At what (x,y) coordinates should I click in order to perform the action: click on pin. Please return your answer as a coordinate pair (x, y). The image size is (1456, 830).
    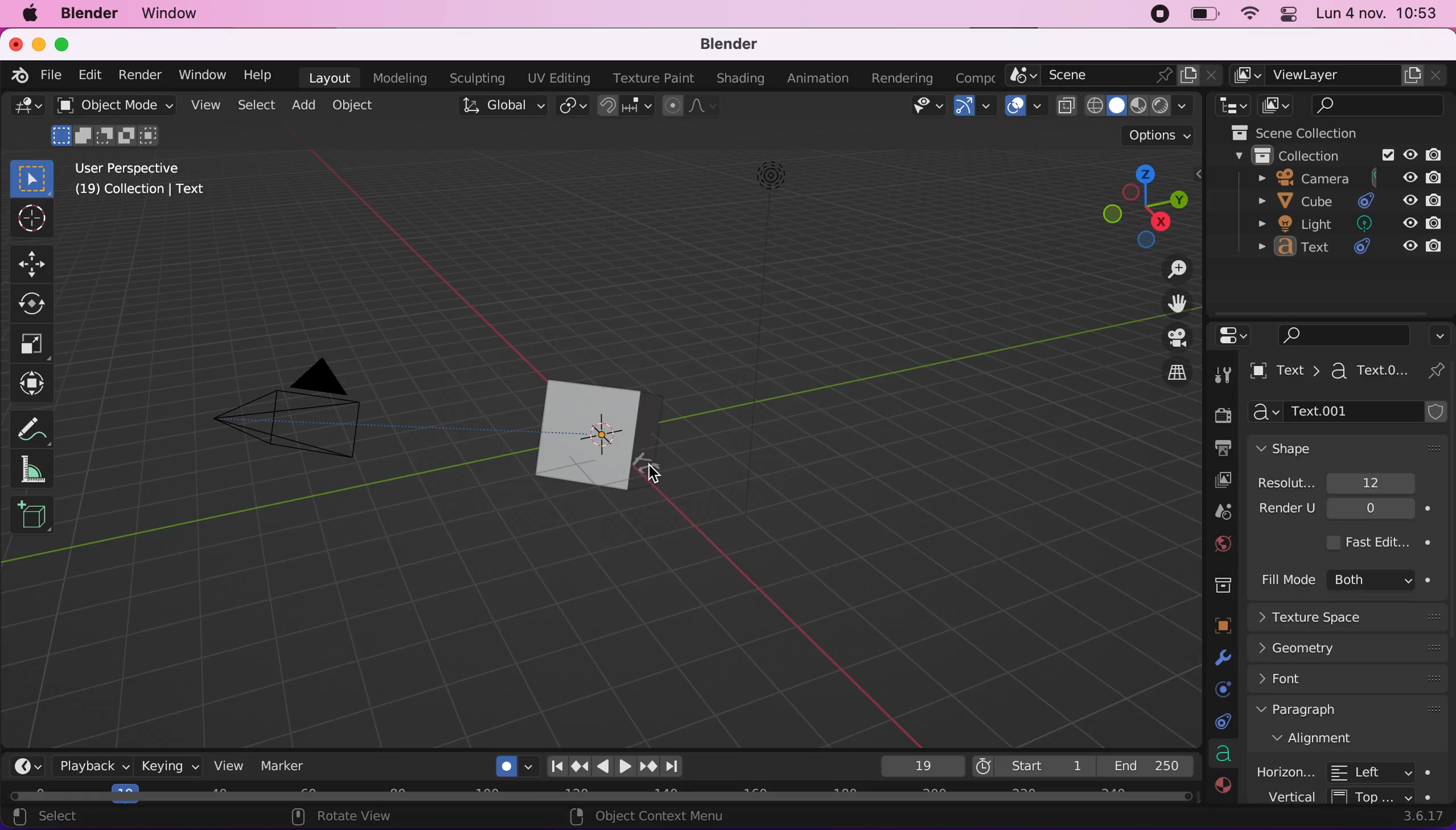
    Looking at the image, I should click on (1436, 370).